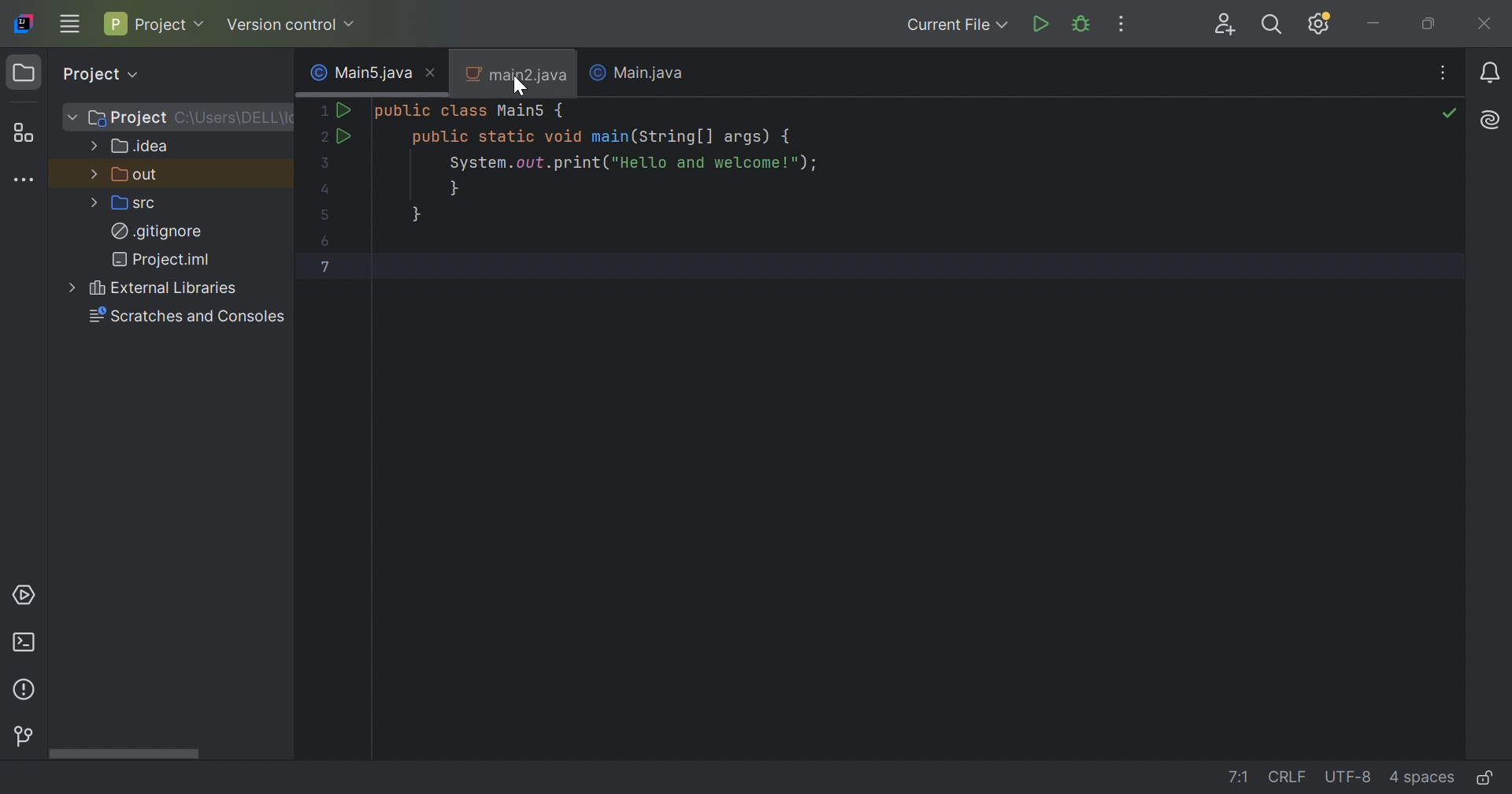  I want to click on main2.java, so click(516, 76).